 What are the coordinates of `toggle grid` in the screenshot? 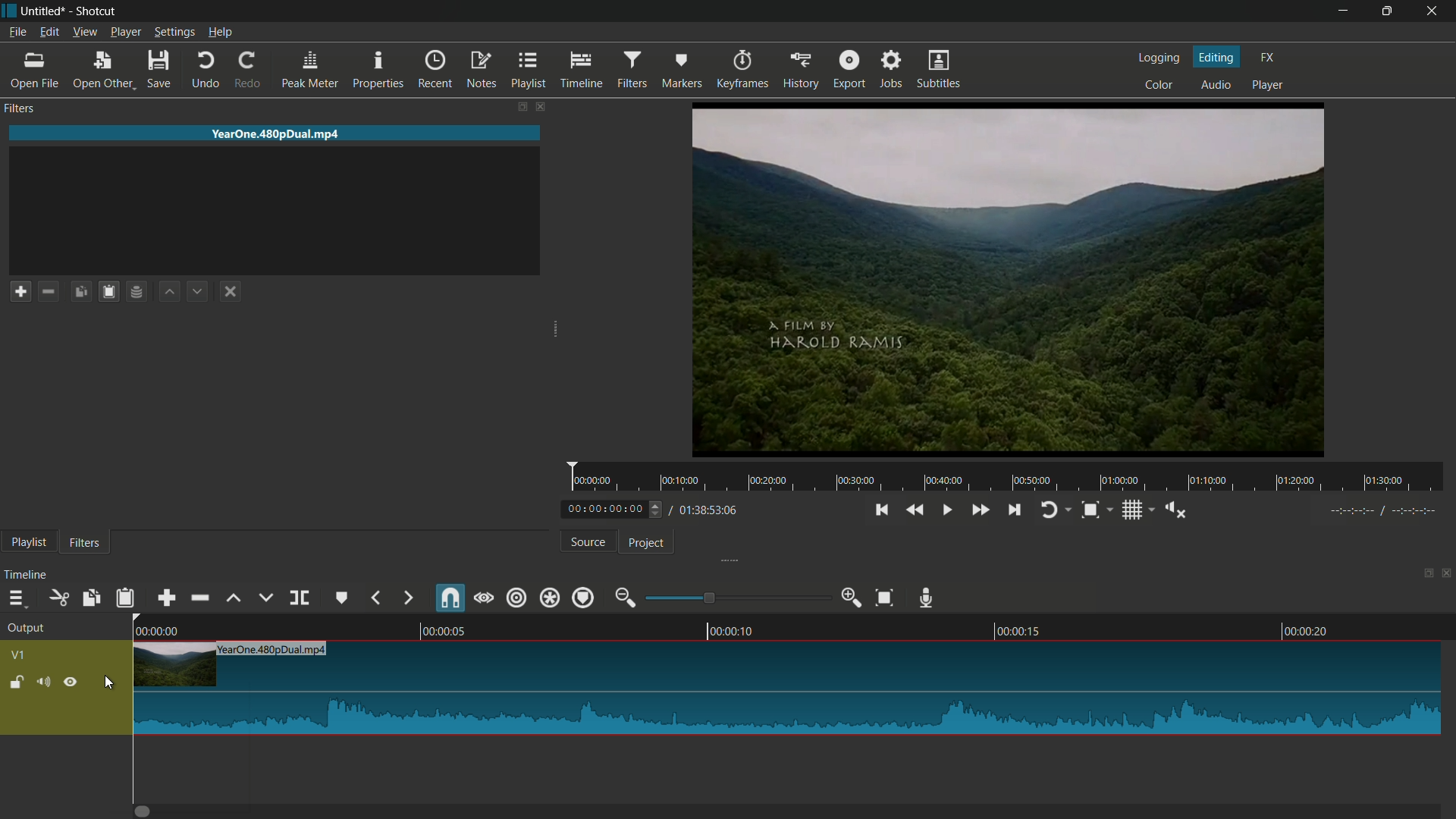 It's located at (1131, 510).